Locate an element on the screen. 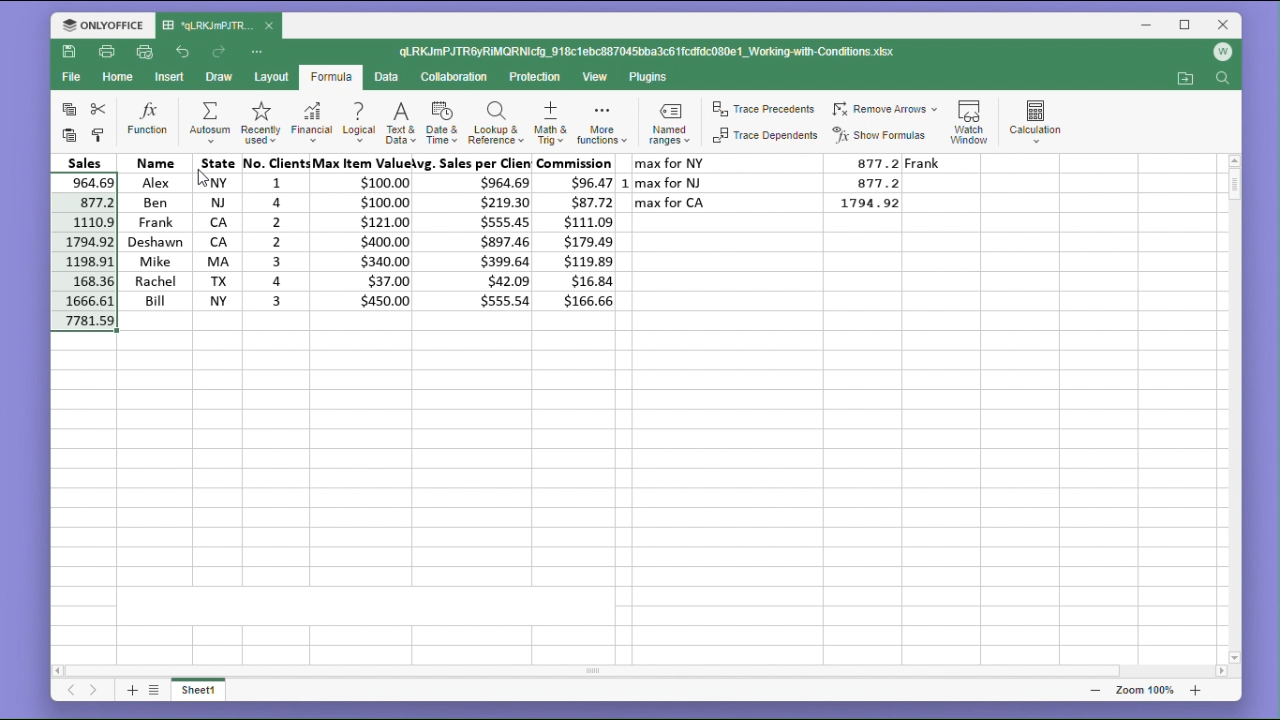 This screenshot has width=1280, height=720. find is located at coordinates (1225, 80).